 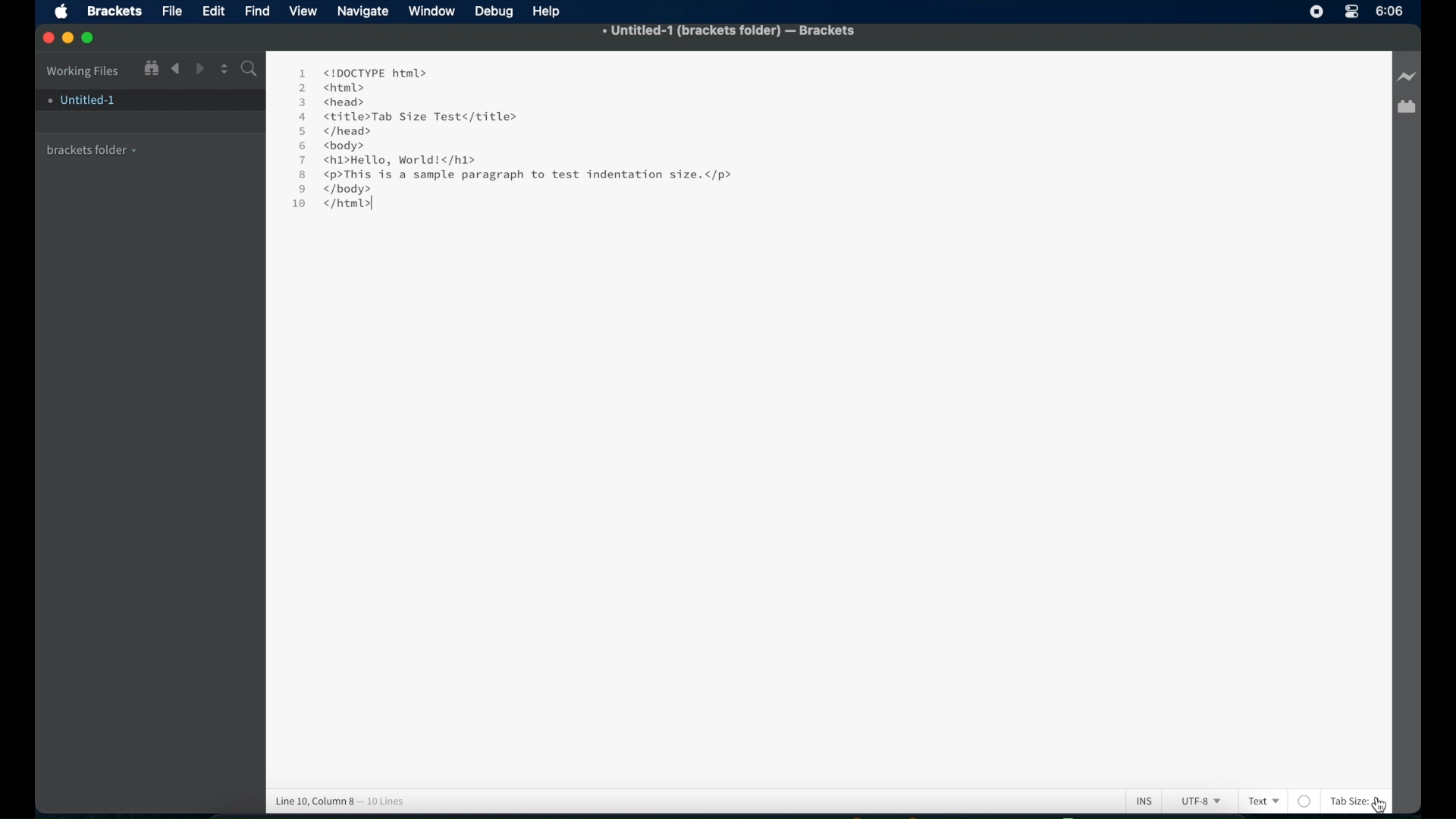 What do you see at coordinates (1390, 11) in the screenshot?
I see `6:06` at bounding box center [1390, 11].